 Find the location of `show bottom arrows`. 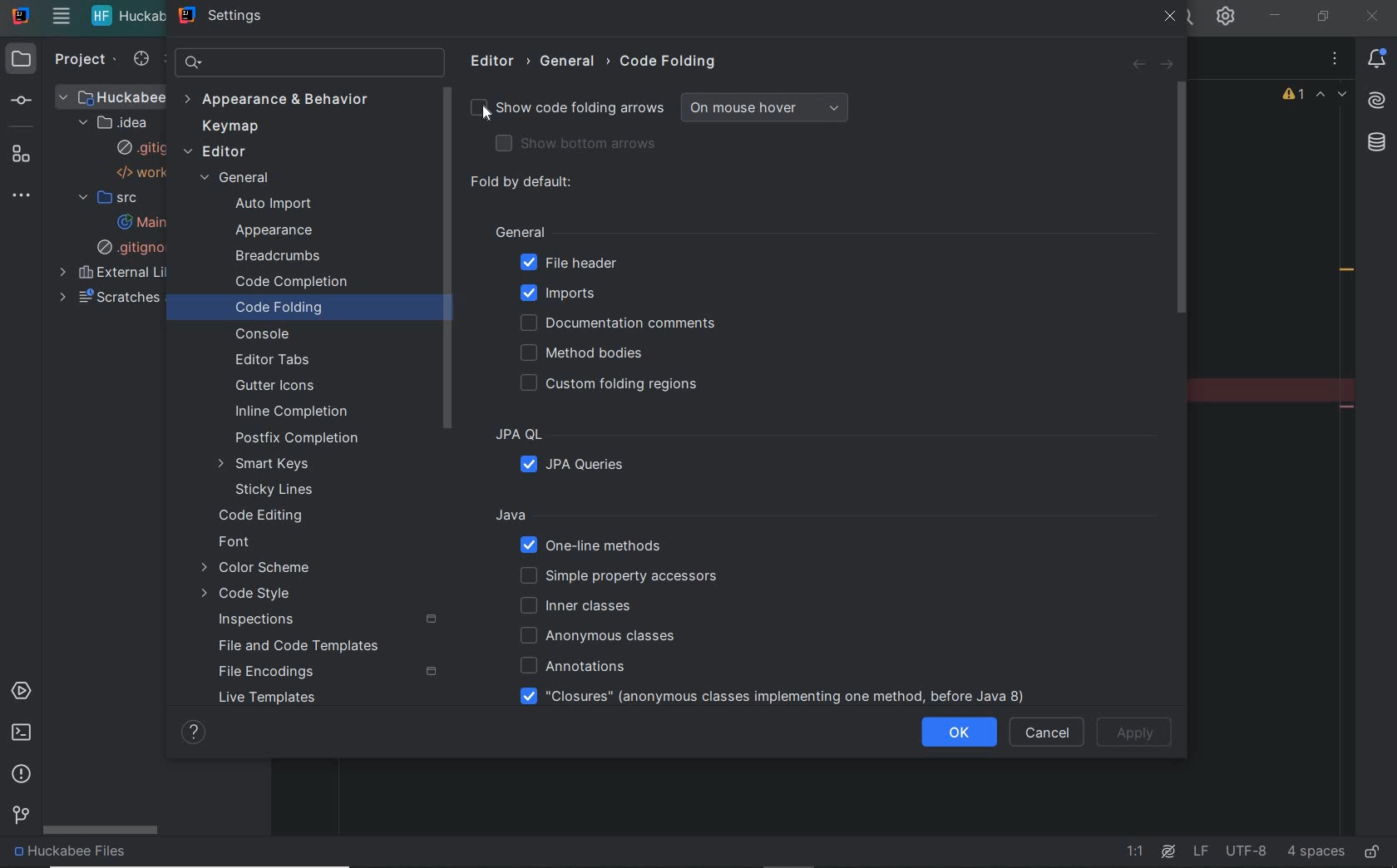

show bottom arrows is located at coordinates (570, 142).